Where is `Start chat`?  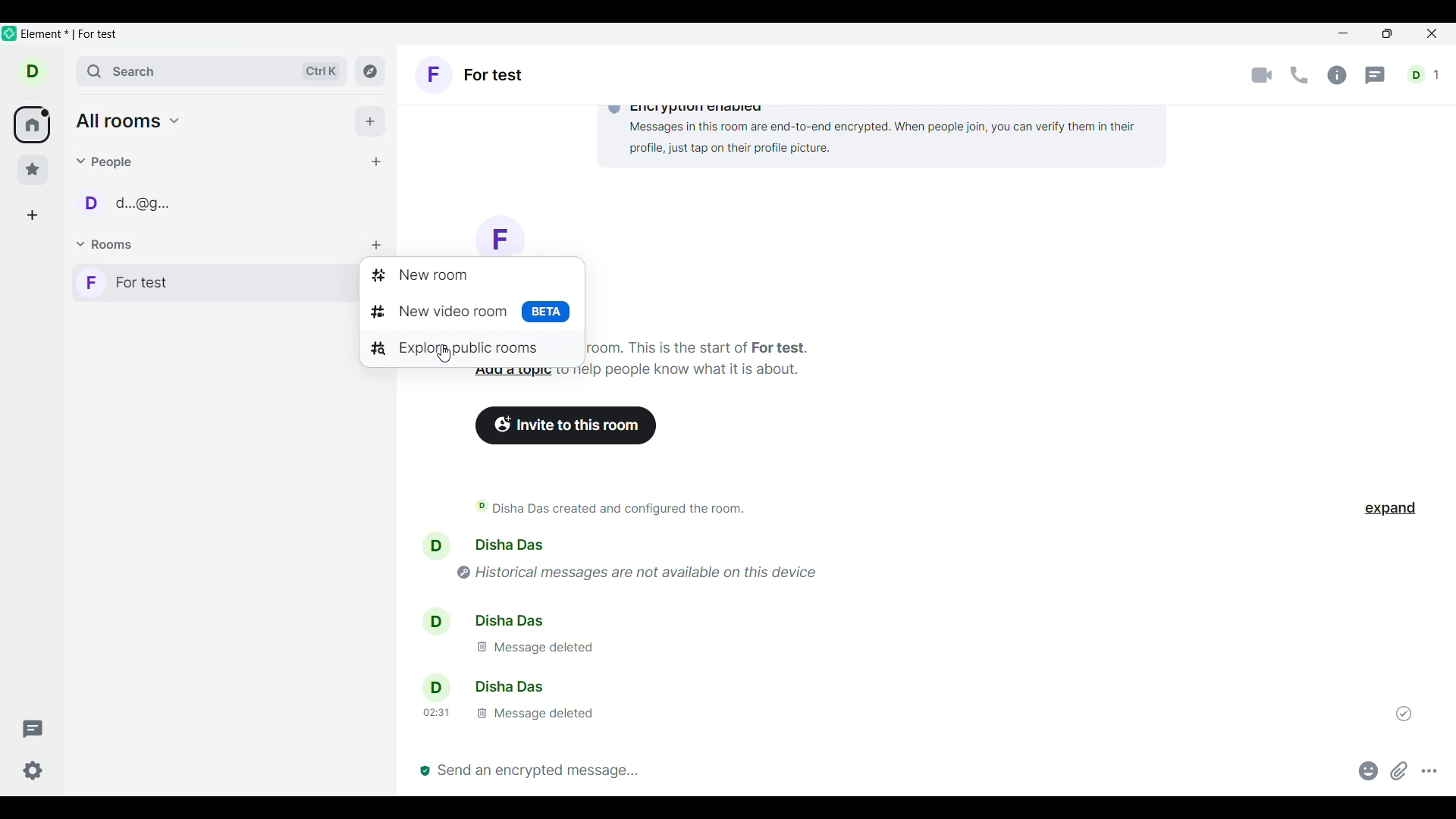
Start chat is located at coordinates (377, 162).